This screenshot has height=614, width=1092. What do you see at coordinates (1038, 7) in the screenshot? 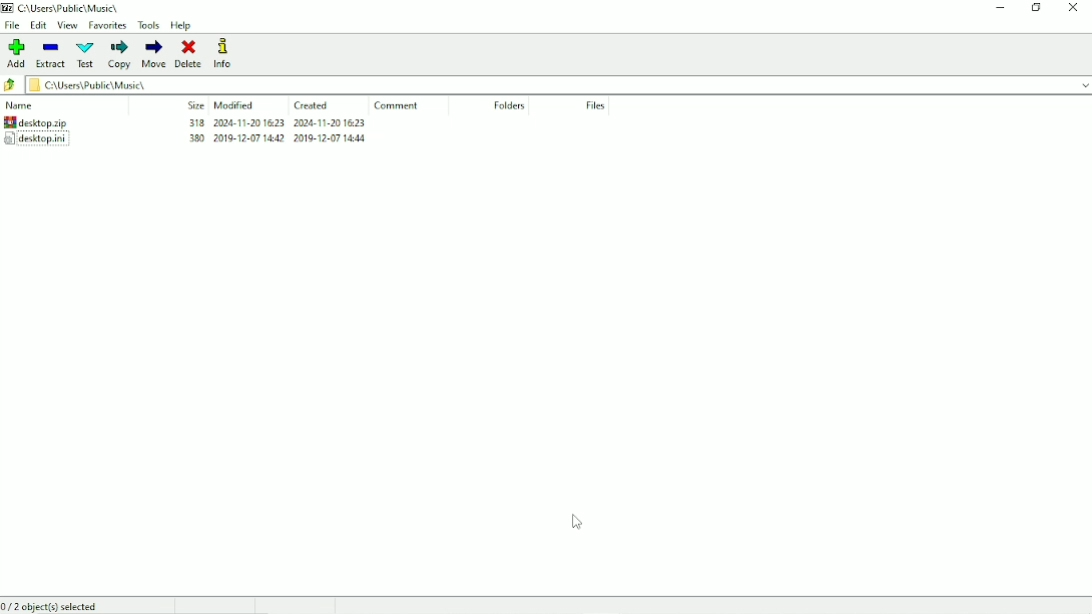
I see `Restore down` at bounding box center [1038, 7].